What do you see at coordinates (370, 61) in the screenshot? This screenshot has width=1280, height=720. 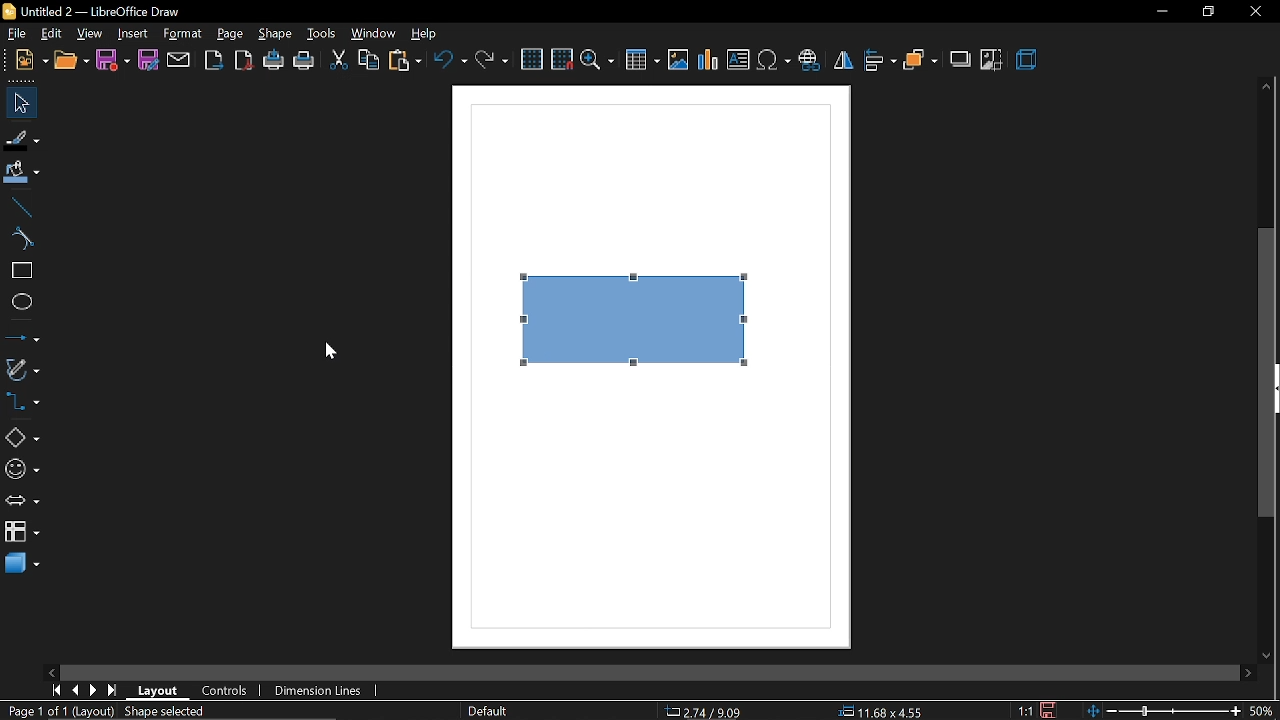 I see `copy` at bounding box center [370, 61].